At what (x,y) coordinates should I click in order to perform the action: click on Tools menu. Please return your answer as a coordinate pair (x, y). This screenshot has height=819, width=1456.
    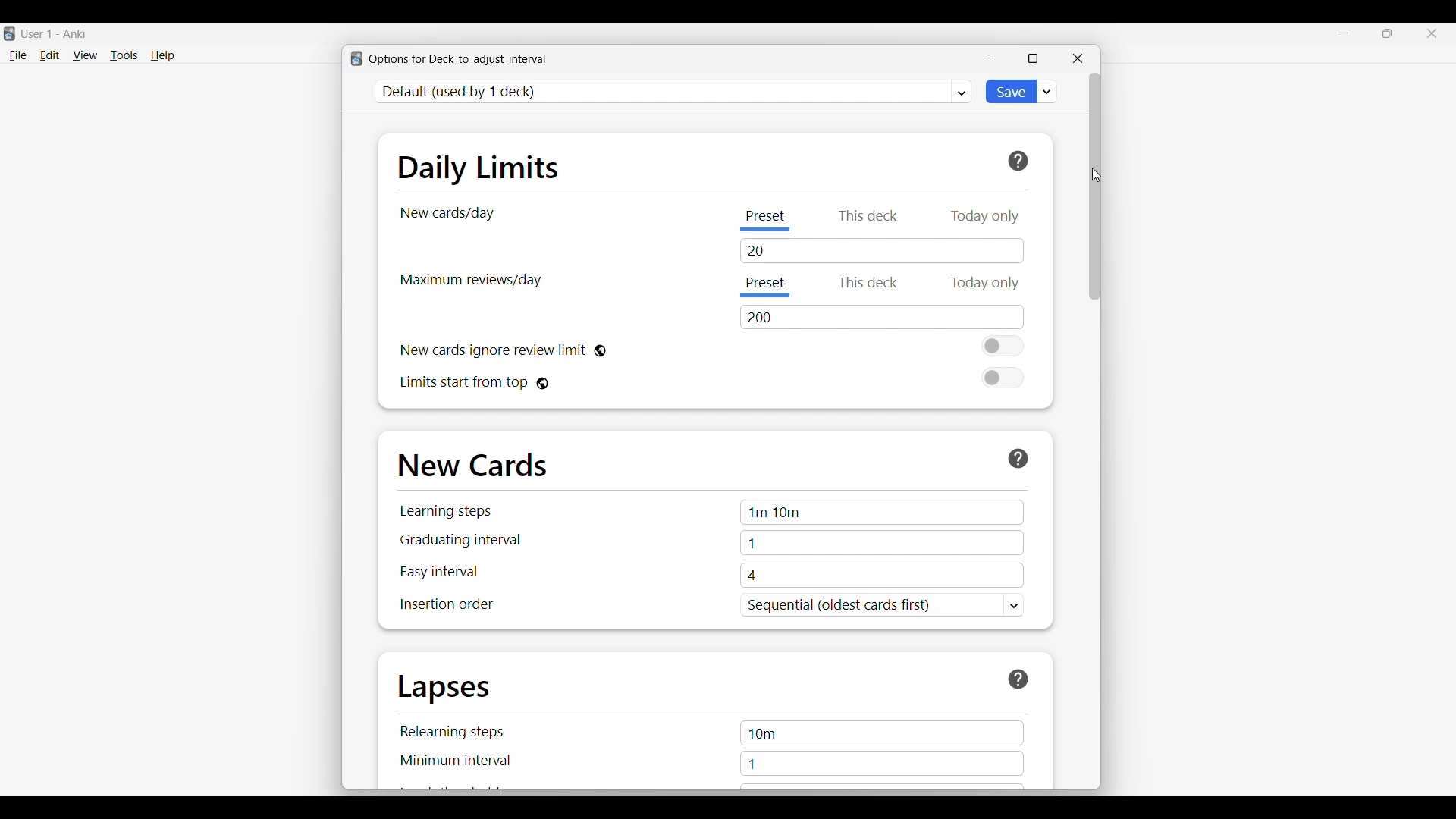
    Looking at the image, I should click on (124, 55).